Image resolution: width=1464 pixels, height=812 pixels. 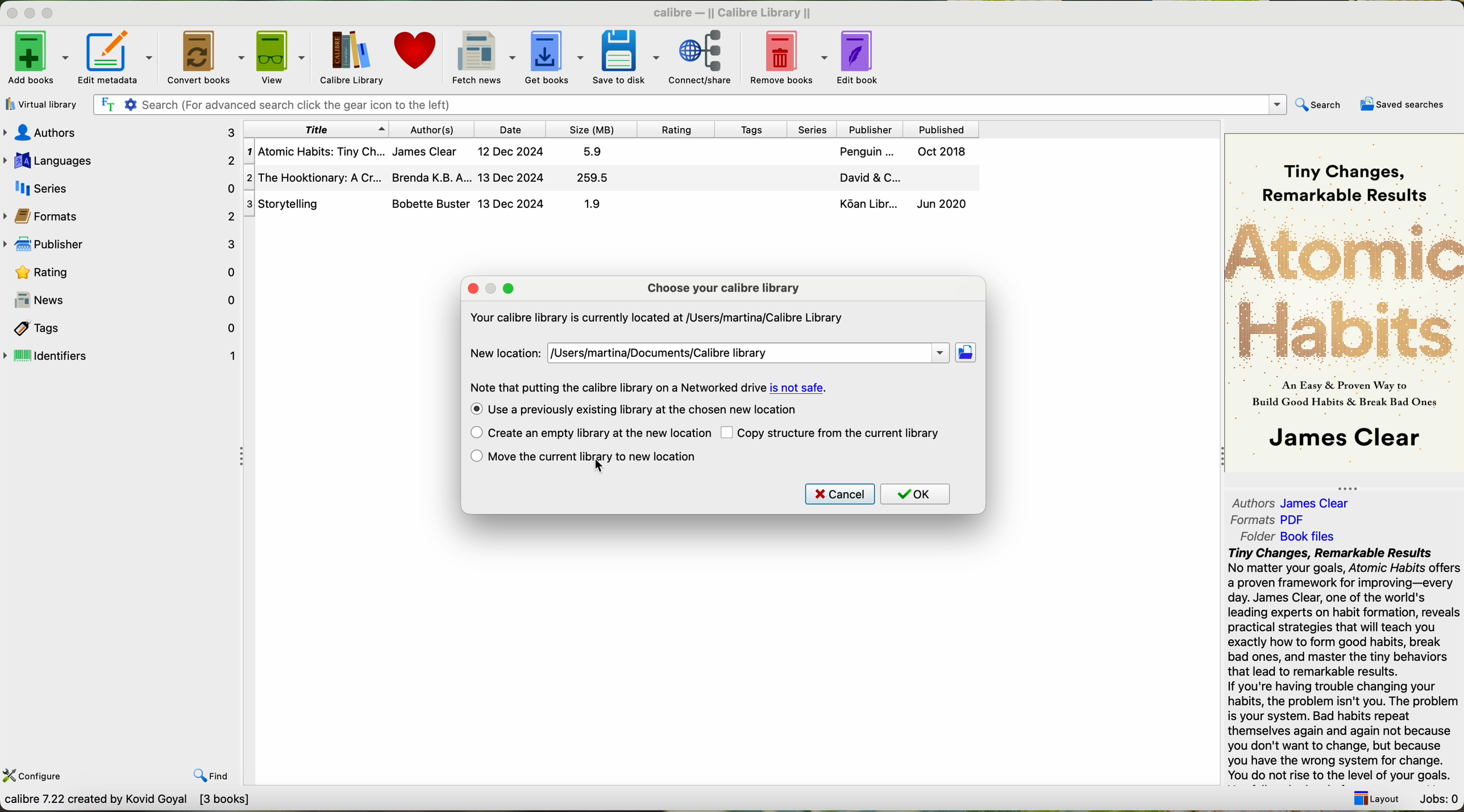 I want to click on remove books, so click(x=788, y=56).